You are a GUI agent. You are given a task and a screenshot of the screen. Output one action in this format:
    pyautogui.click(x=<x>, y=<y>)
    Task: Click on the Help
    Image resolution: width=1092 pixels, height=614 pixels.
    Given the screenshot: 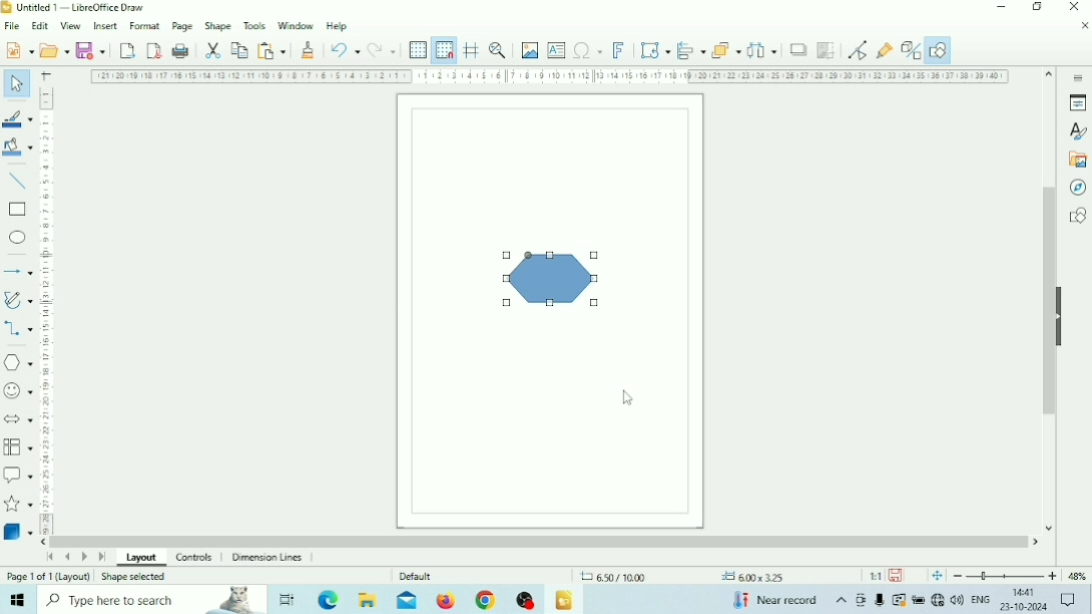 What is the action you would take?
    pyautogui.click(x=338, y=27)
    